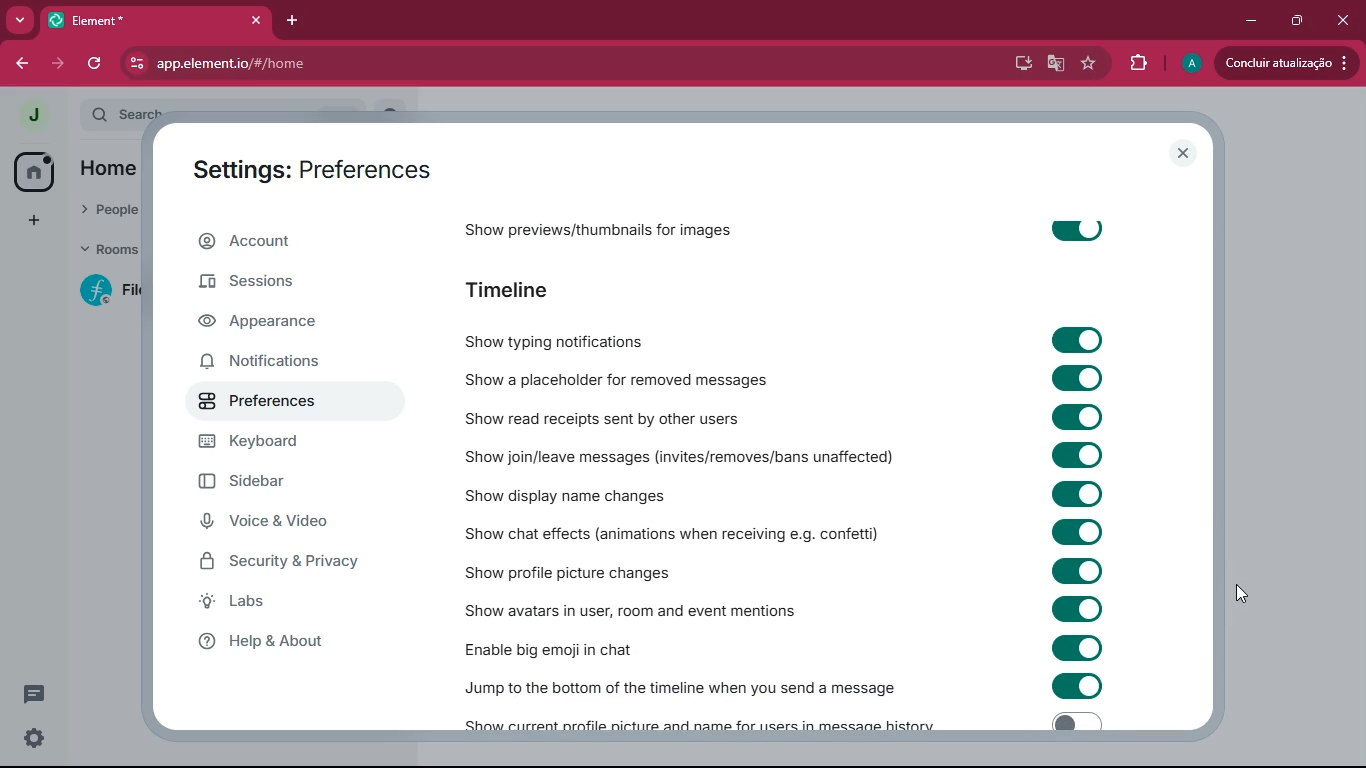 Image resolution: width=1366 pixels, height=768 pixels. Describe the element at coordinates (1182, 151) in the screenshot. I see `close` at that location.